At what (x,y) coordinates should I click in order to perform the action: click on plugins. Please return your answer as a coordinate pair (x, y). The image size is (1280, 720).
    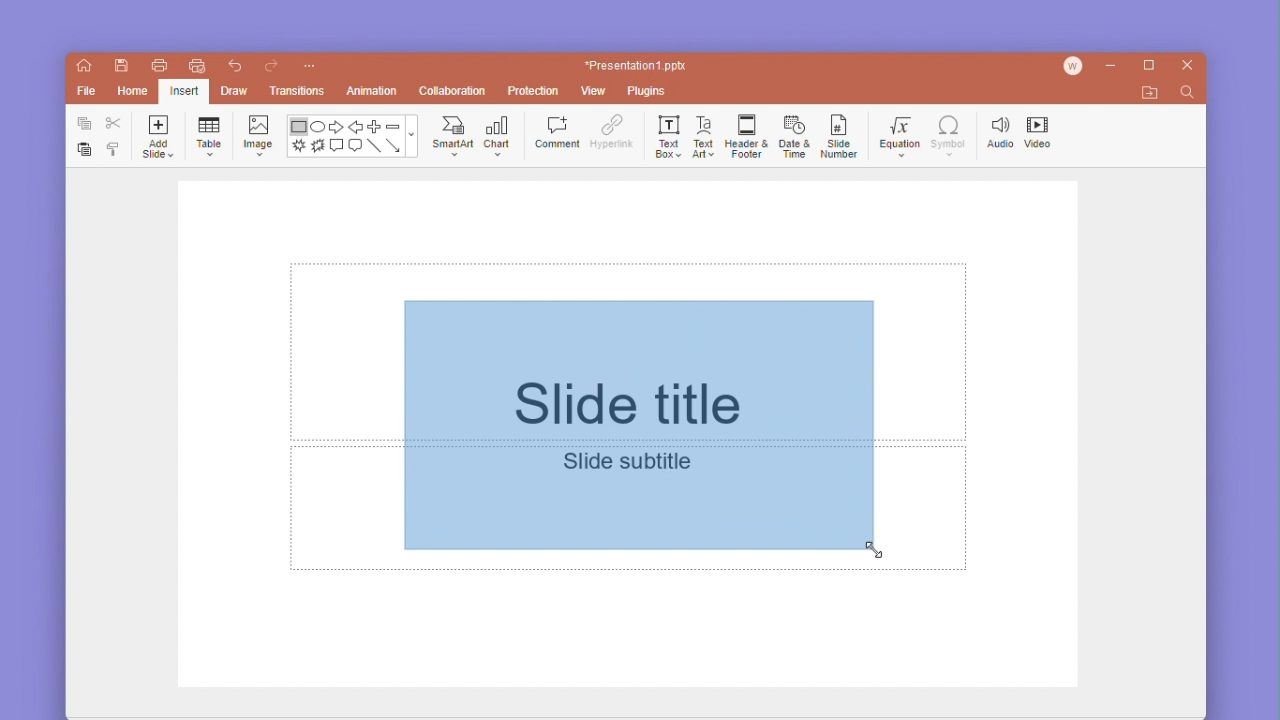
    Looking at the image, I should click on (652, 92).